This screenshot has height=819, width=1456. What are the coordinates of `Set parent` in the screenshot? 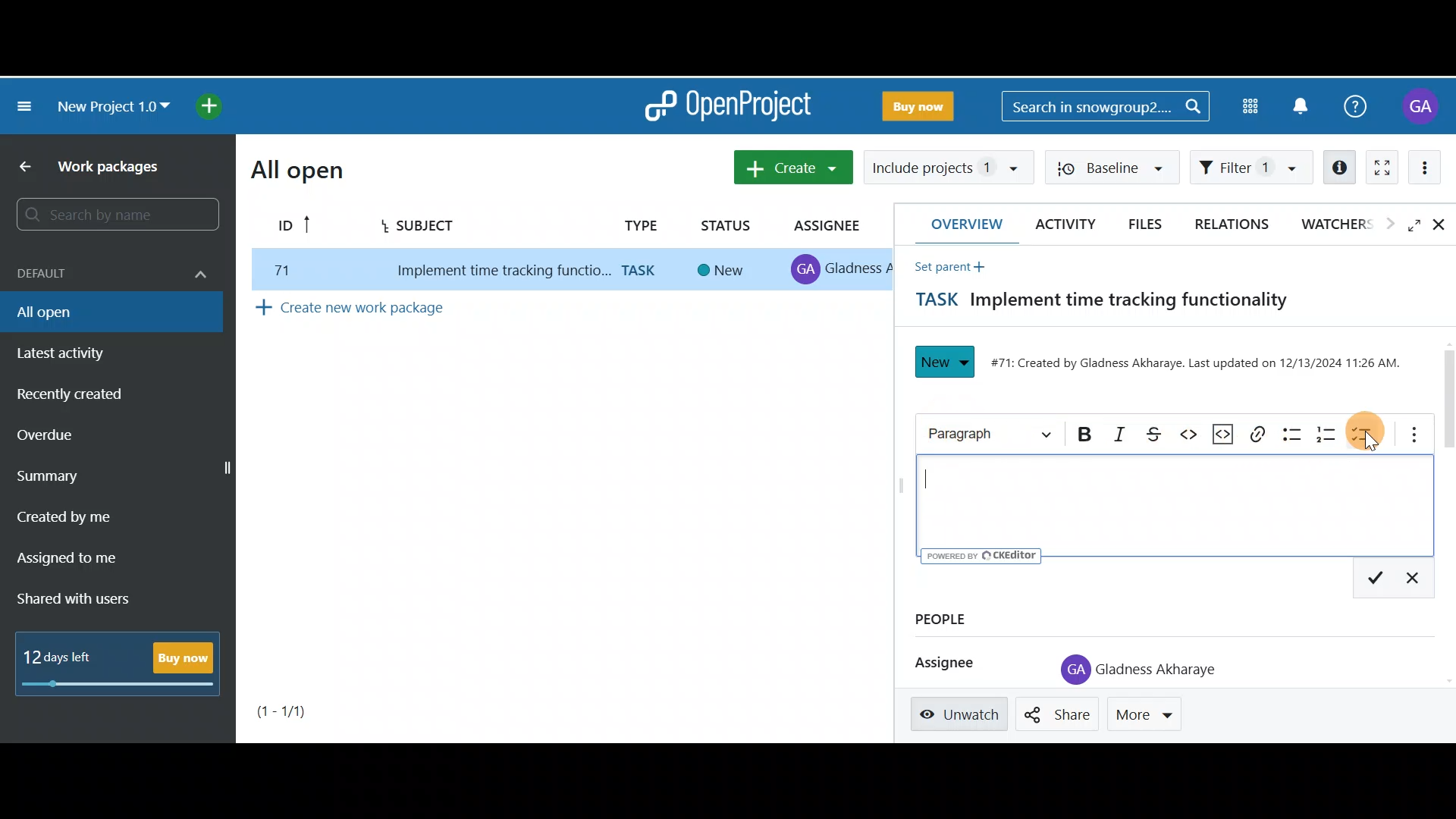 It's located at (945, 266).